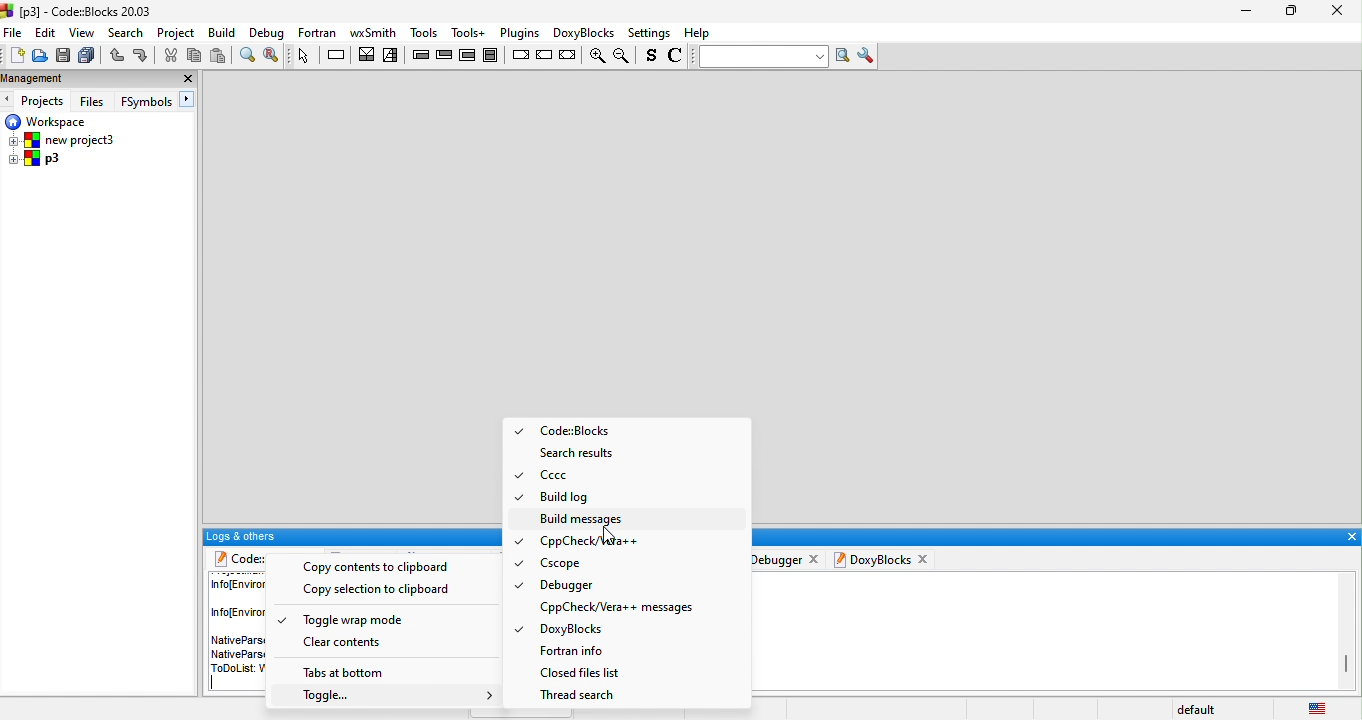 The height and width of the screenshot is (720, 1362). Describe the element at coordinates (9, 100) in the screenshot. I see `previous` at that location.